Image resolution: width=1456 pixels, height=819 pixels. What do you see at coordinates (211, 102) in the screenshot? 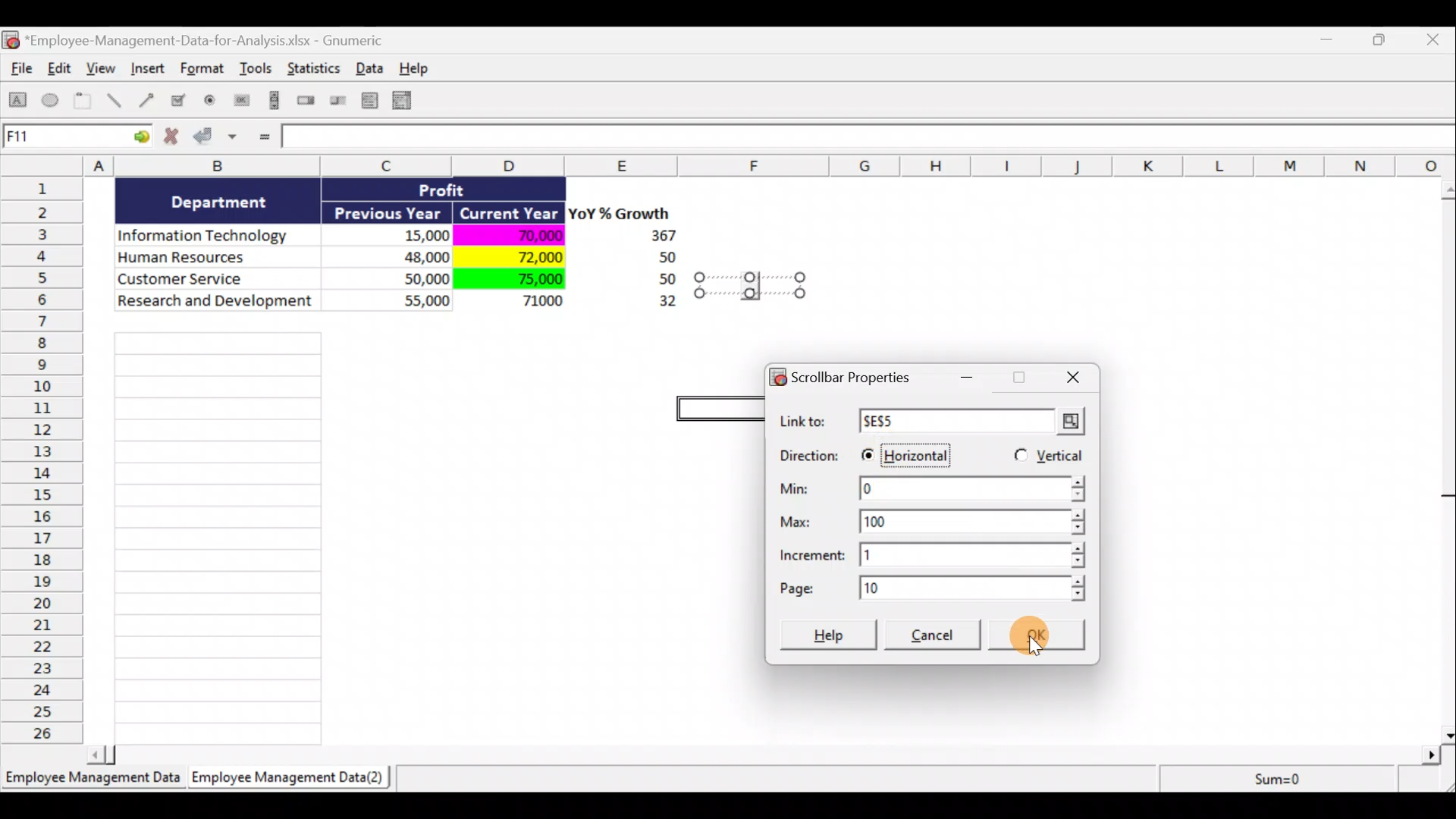
I see `Create a radio button` at bounding box center [211, 102].